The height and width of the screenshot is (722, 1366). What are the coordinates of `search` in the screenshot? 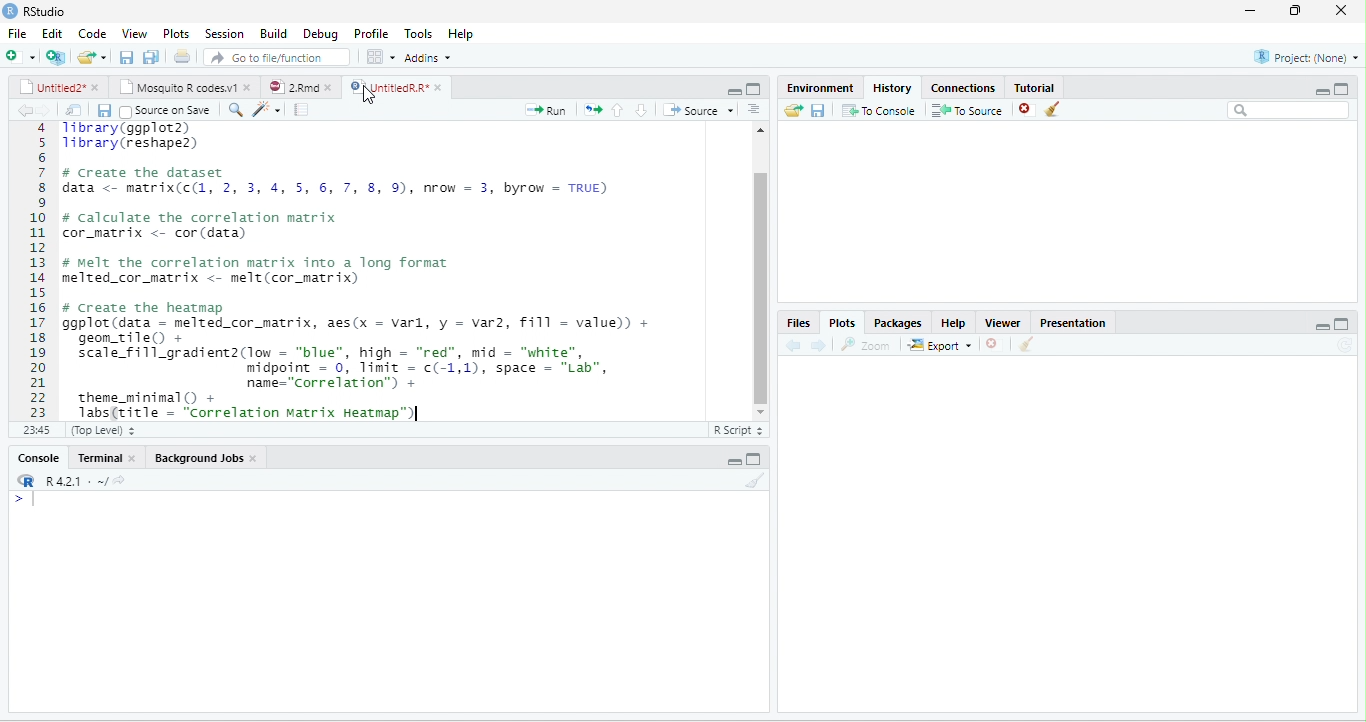 It's located at (259, 109).